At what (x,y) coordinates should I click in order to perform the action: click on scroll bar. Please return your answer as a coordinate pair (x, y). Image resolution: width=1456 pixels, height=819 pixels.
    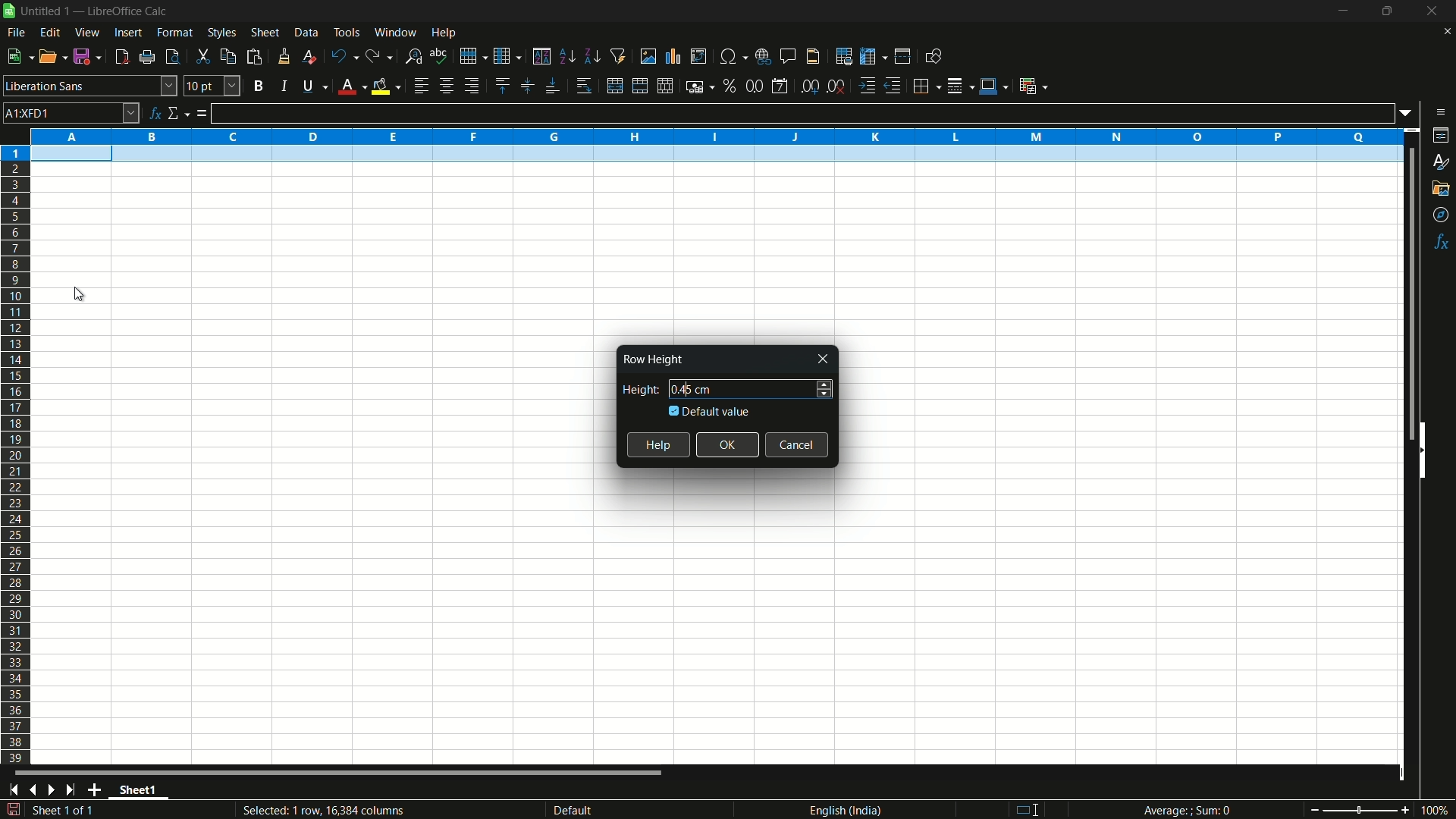
    Looking at the image, I should click on (1403, 294).